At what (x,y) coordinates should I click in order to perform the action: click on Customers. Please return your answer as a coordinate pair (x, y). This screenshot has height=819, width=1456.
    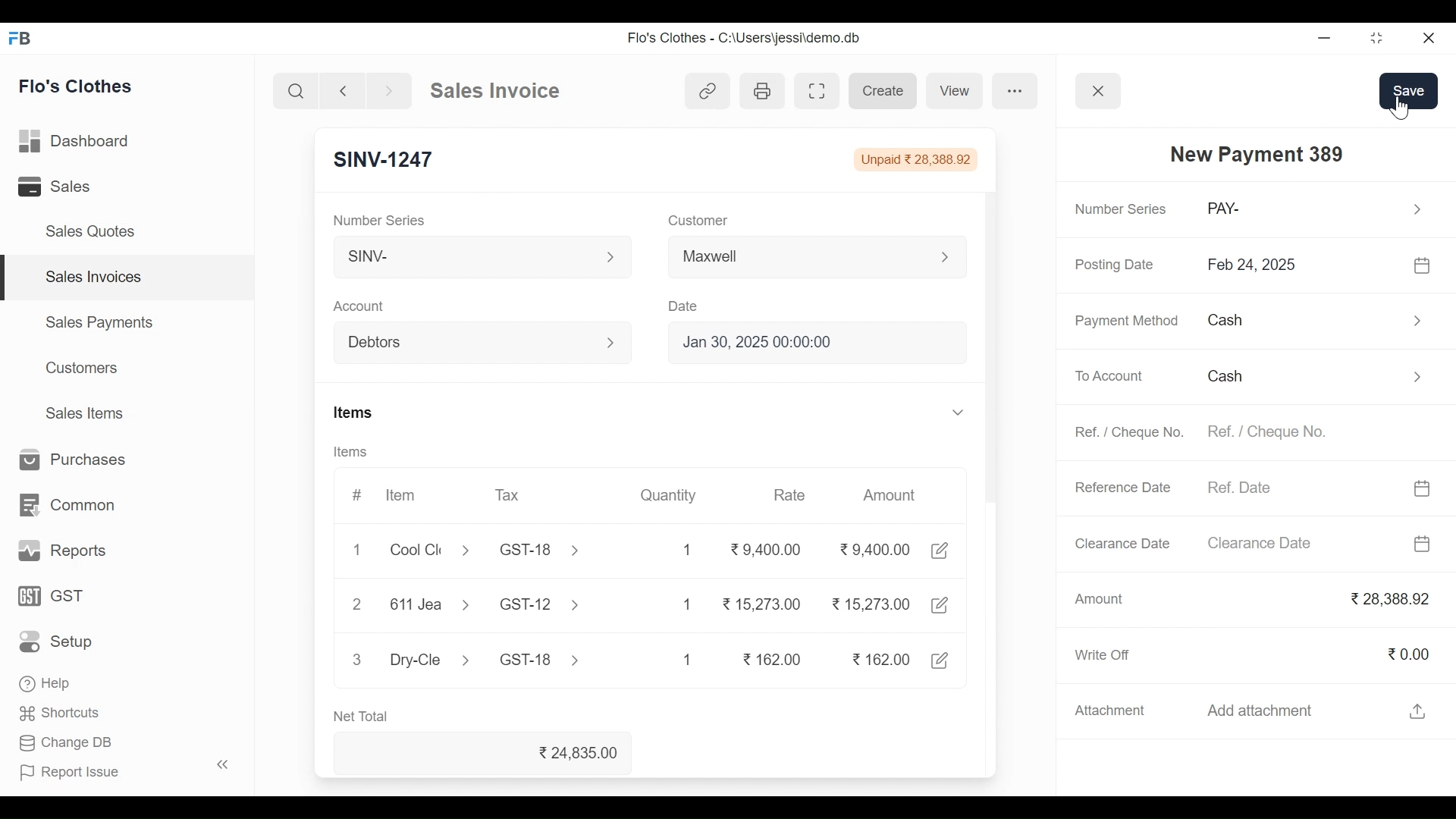
    Looking at the image, I should click on (84, 368).